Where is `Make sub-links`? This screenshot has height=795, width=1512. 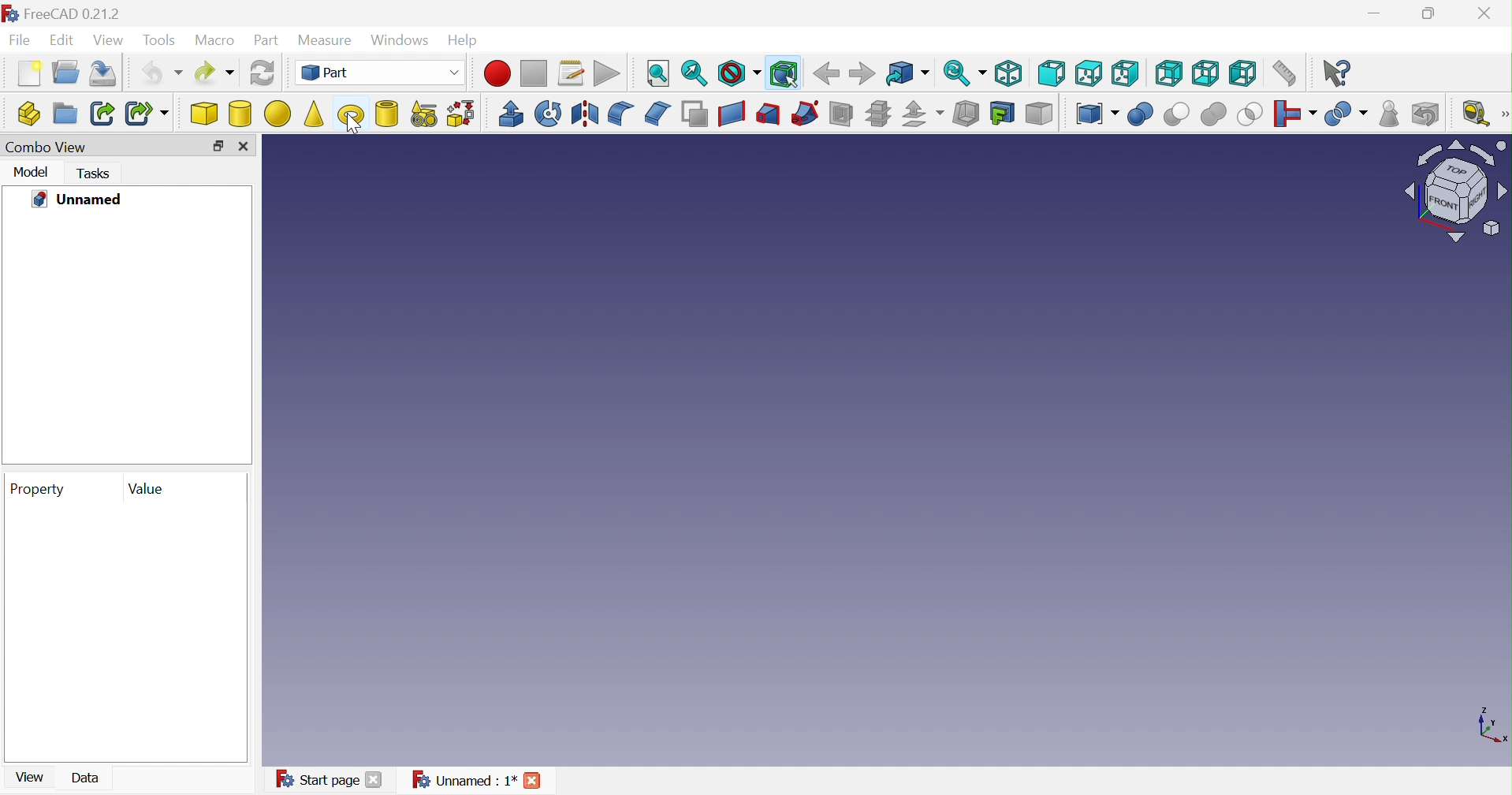
Make sub-links is located at coordinates (146, 113).